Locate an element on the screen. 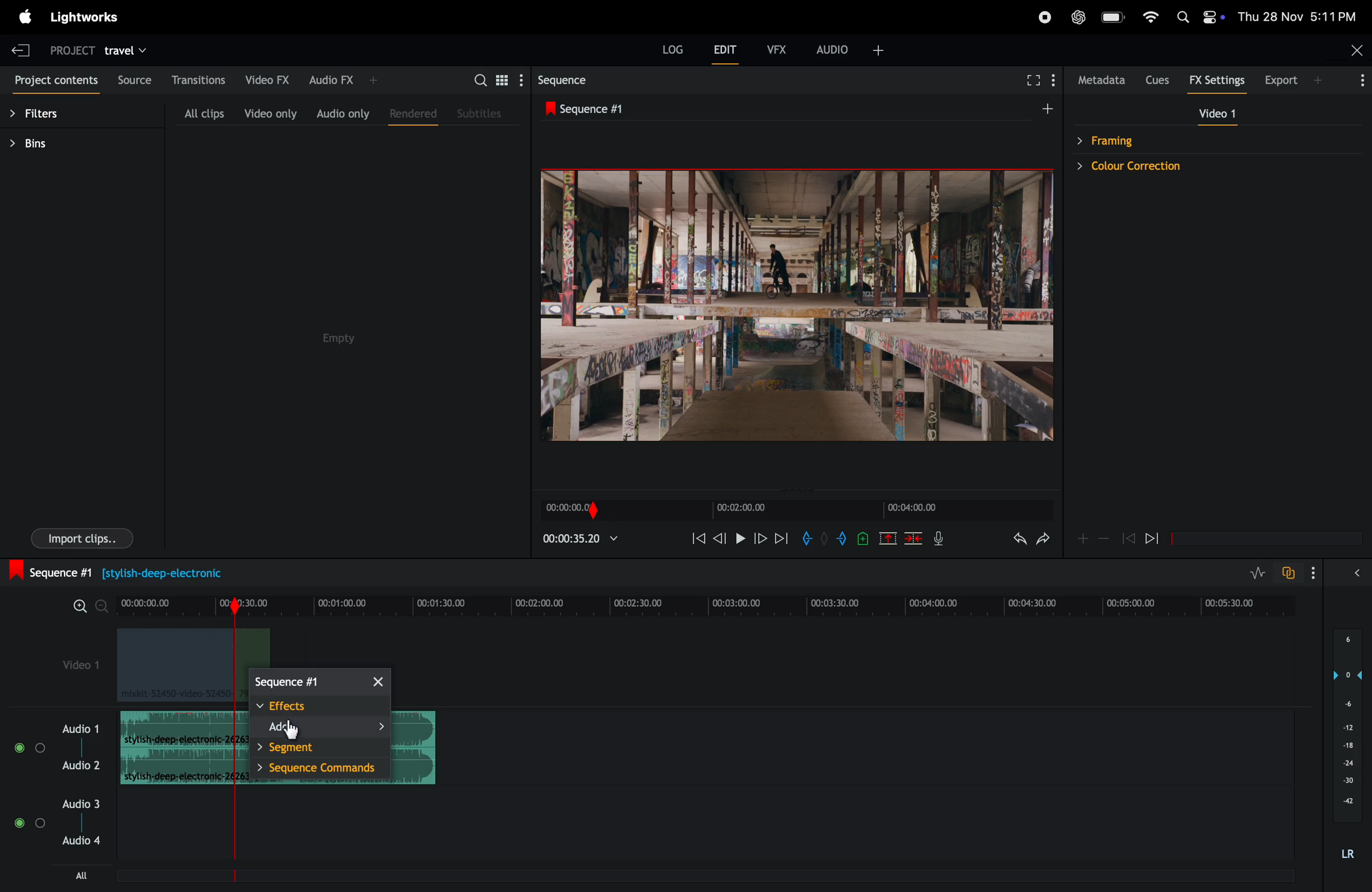 The image size is (1372, 892). video clips is located at coordinates (177, 666).